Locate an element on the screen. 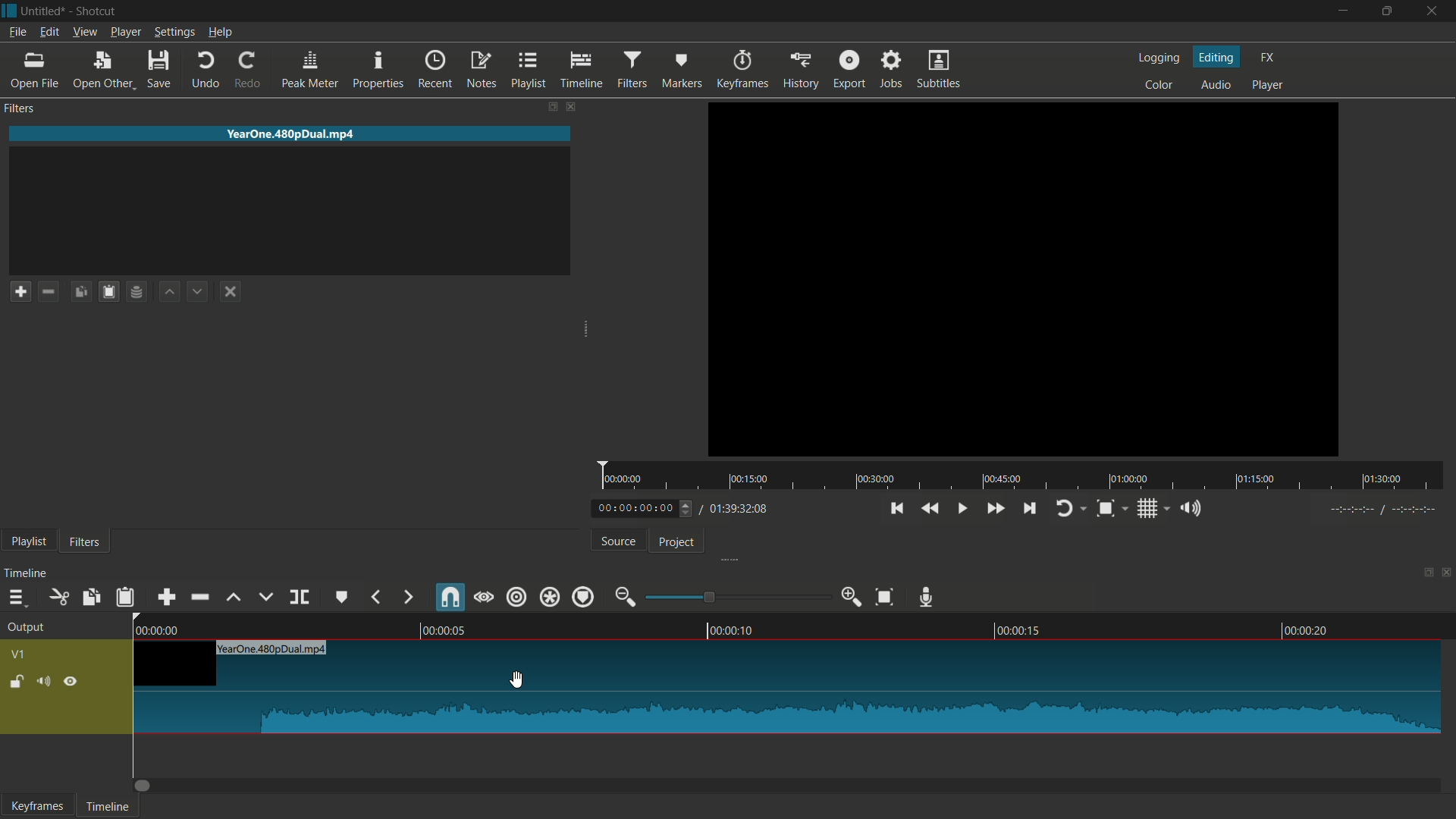  close filters is located at coordinates (573, 106).